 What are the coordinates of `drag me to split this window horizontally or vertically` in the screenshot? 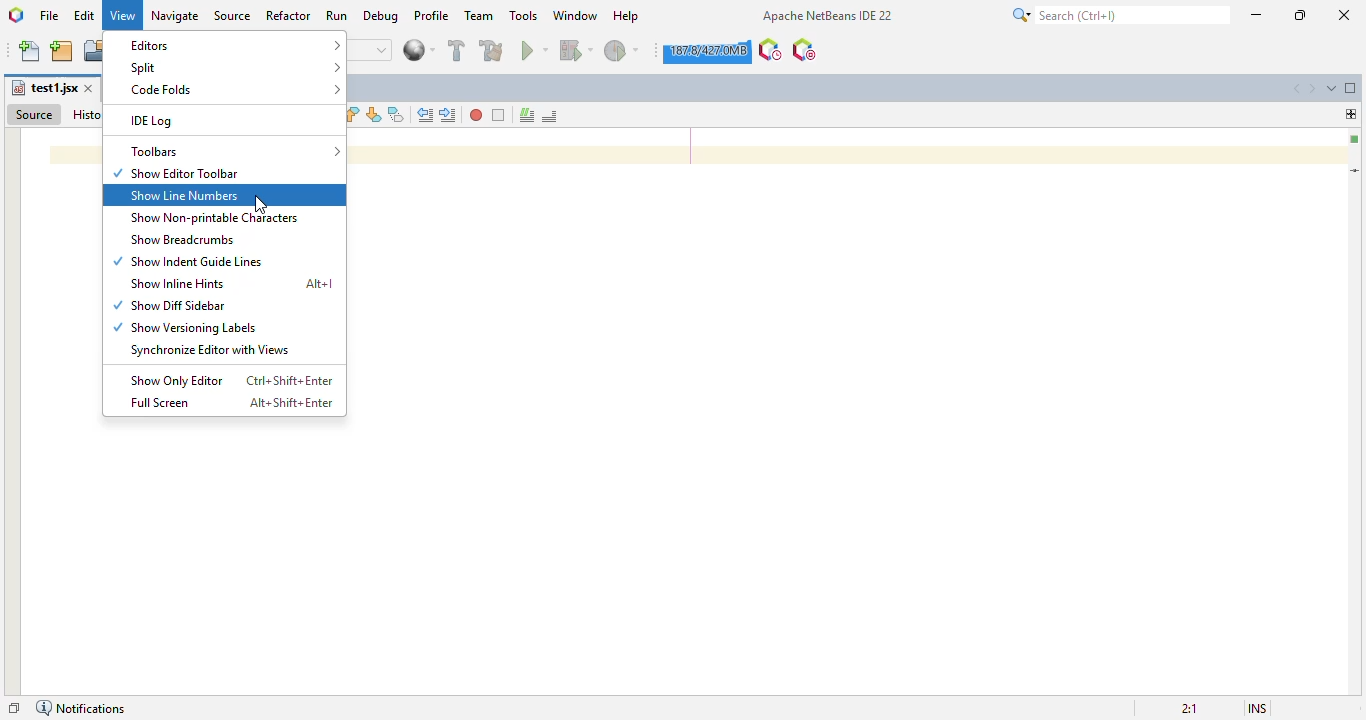 It's located at (1351, 114).